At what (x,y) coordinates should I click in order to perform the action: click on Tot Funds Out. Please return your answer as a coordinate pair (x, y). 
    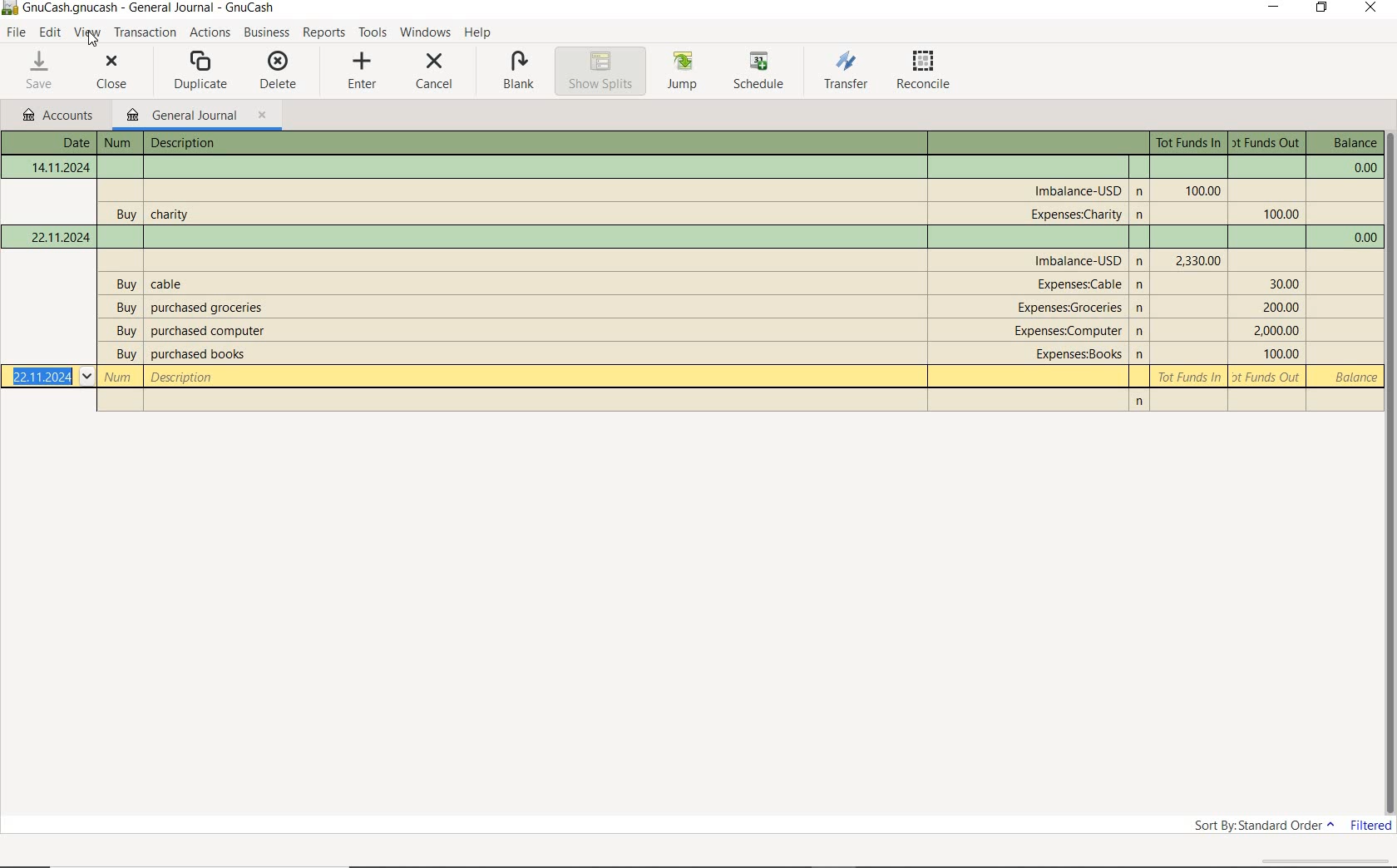
    Looking at the image, I should click on (1267, 143).